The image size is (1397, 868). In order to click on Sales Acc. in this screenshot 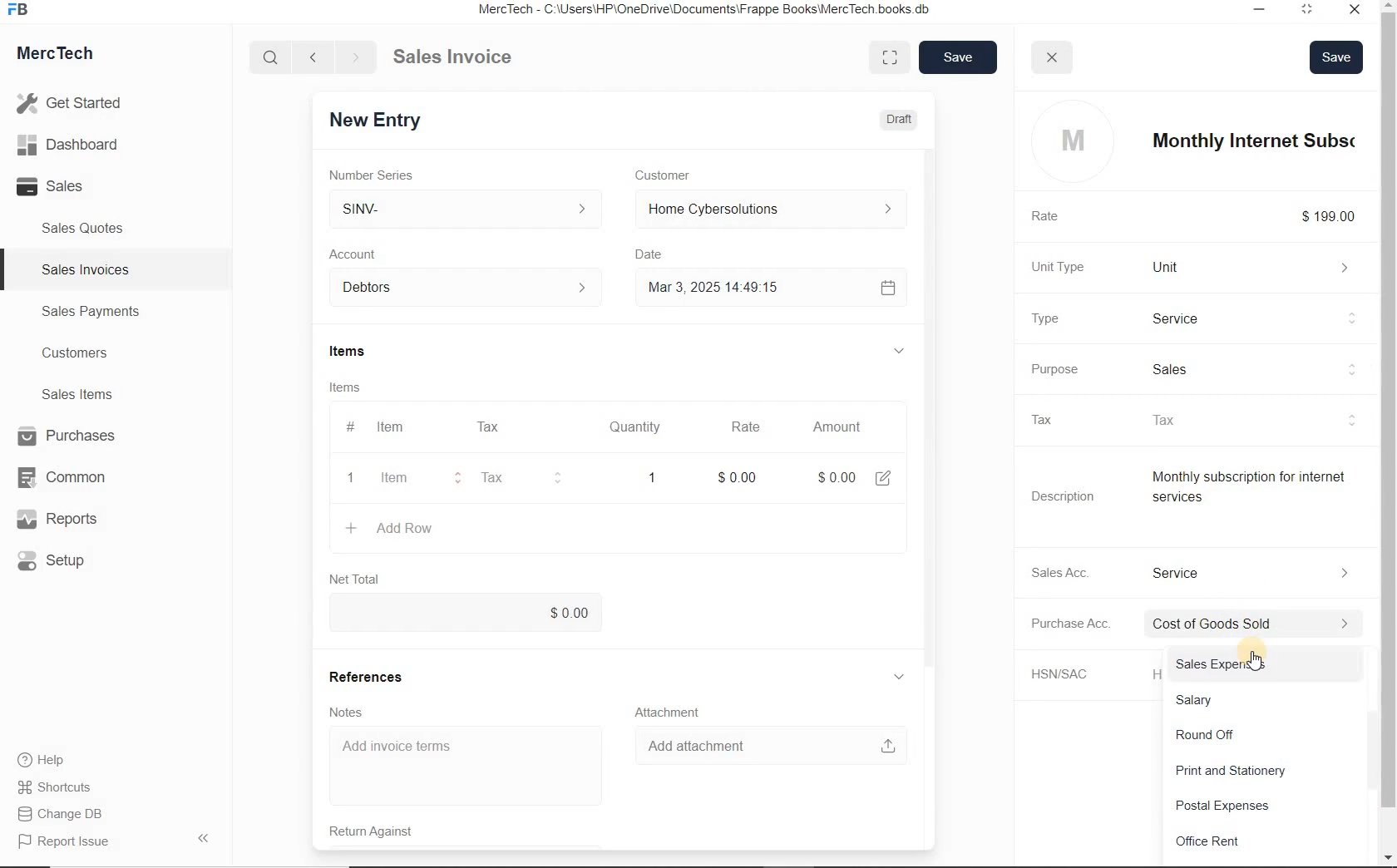, I will do `click(1073, 572)`.